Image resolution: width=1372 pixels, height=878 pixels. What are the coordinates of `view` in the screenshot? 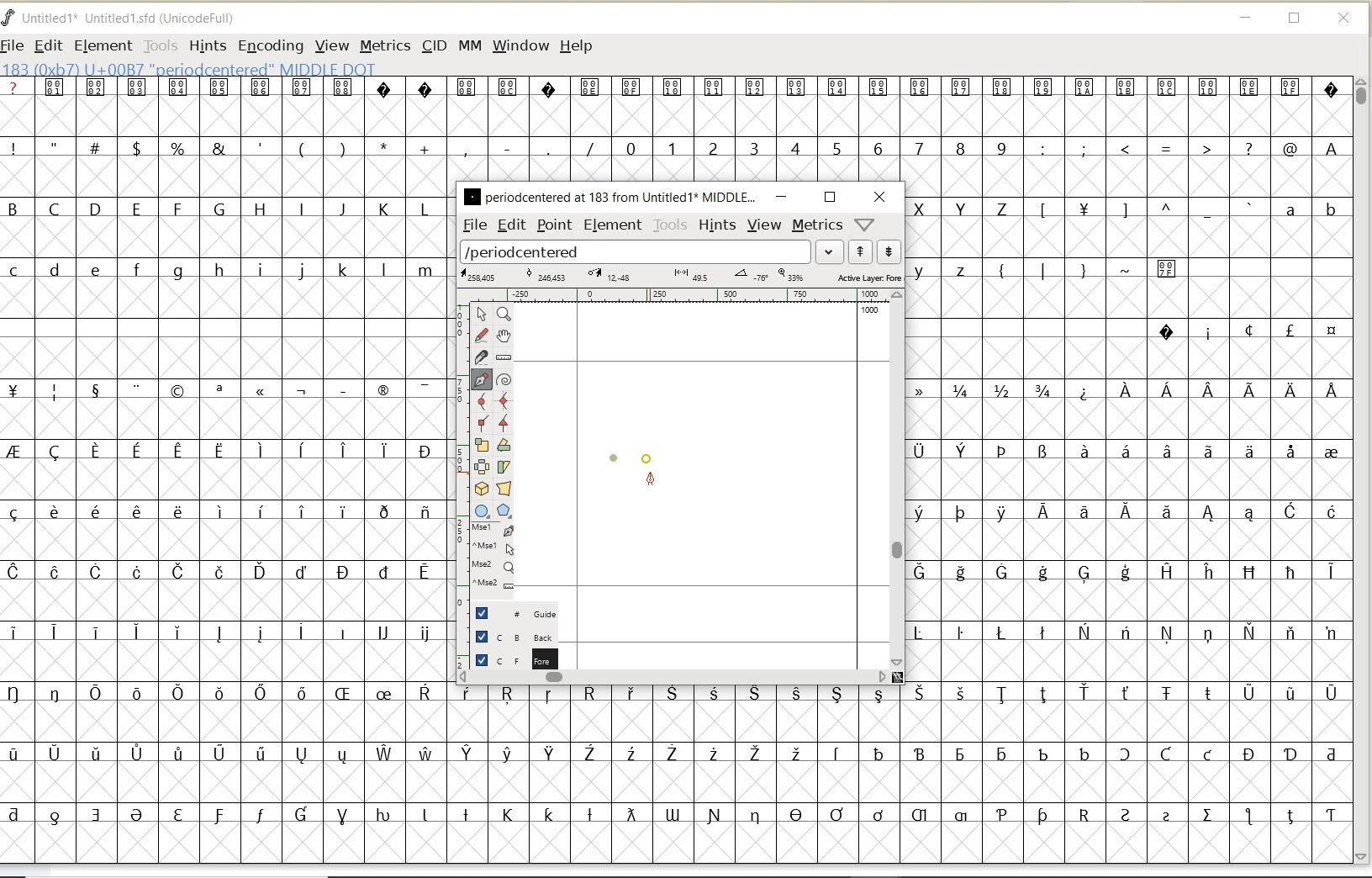 It's located at (765, 225).